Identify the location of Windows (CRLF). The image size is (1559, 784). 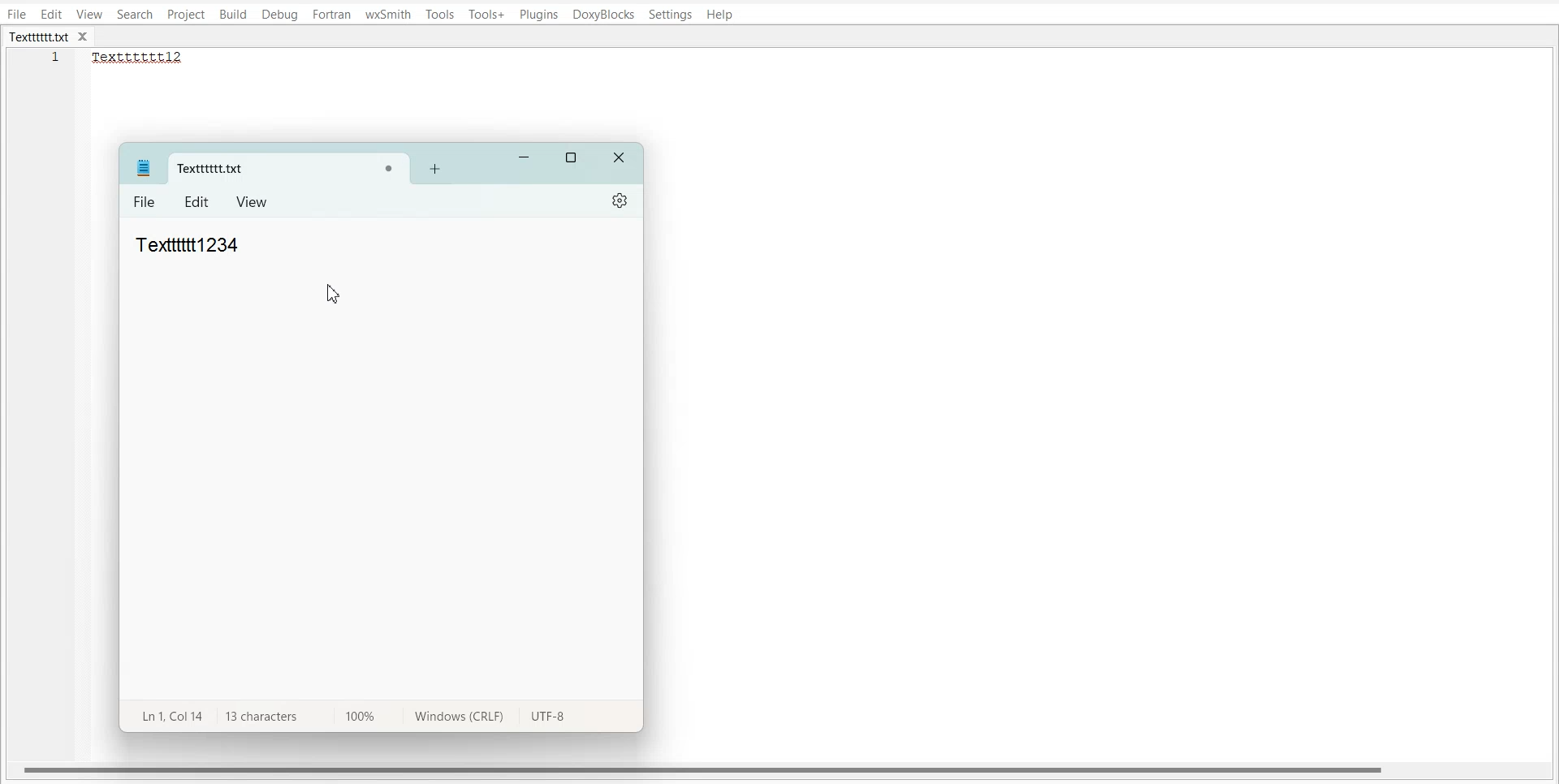
(456, 719).